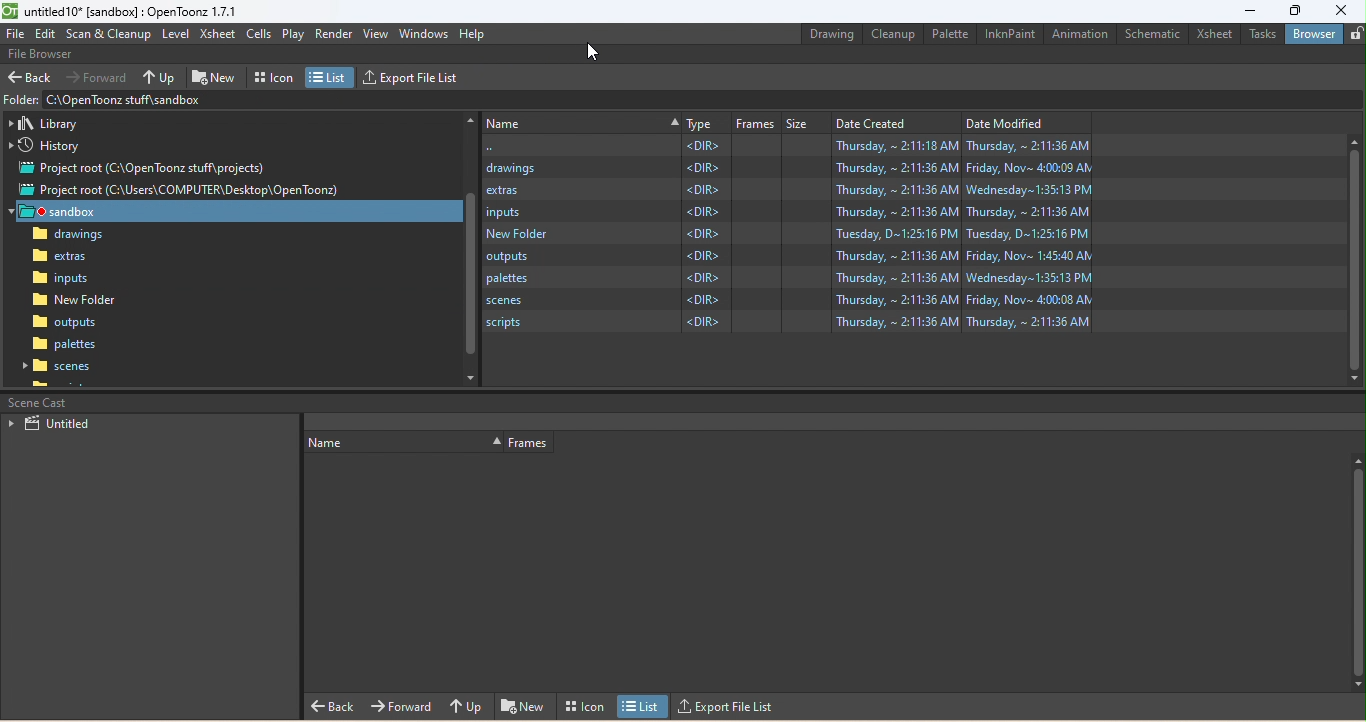  What do you see at coordinates (1315, 31) in the screenshot?
I see `Browser` at bounding box center [1315, 31].